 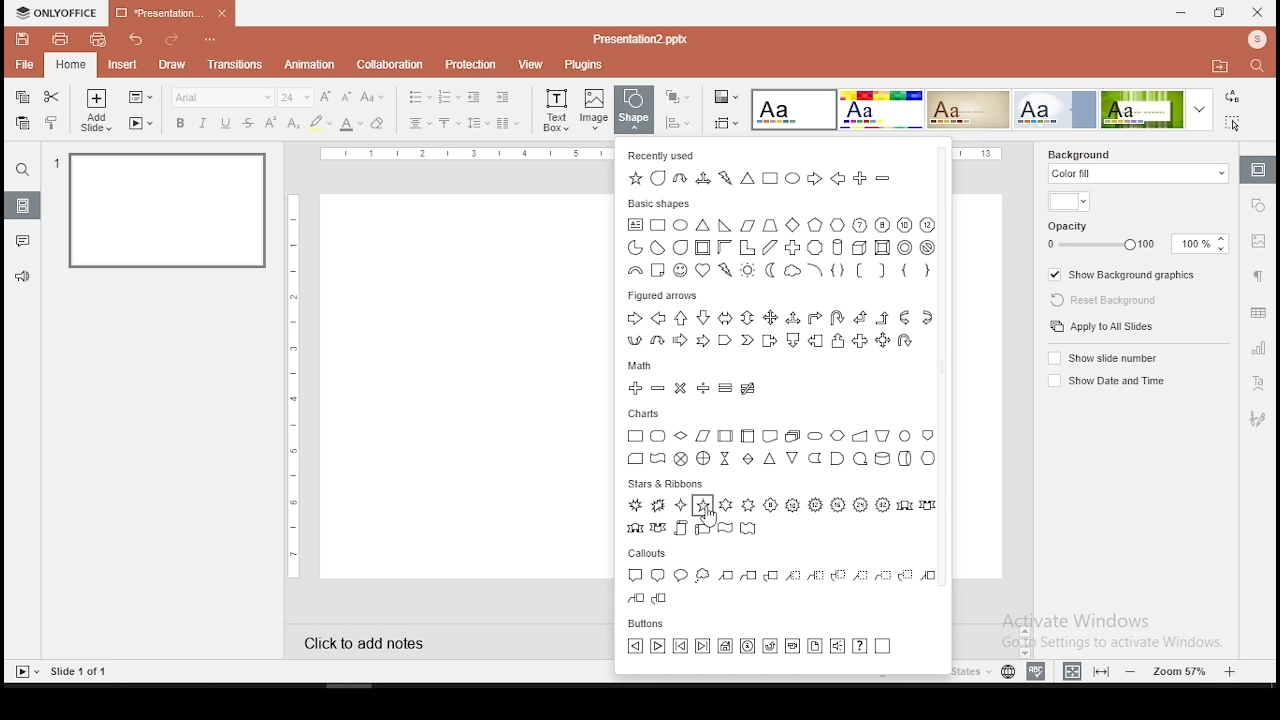 I want to click on shape settings, so click(x=1259, y=204).